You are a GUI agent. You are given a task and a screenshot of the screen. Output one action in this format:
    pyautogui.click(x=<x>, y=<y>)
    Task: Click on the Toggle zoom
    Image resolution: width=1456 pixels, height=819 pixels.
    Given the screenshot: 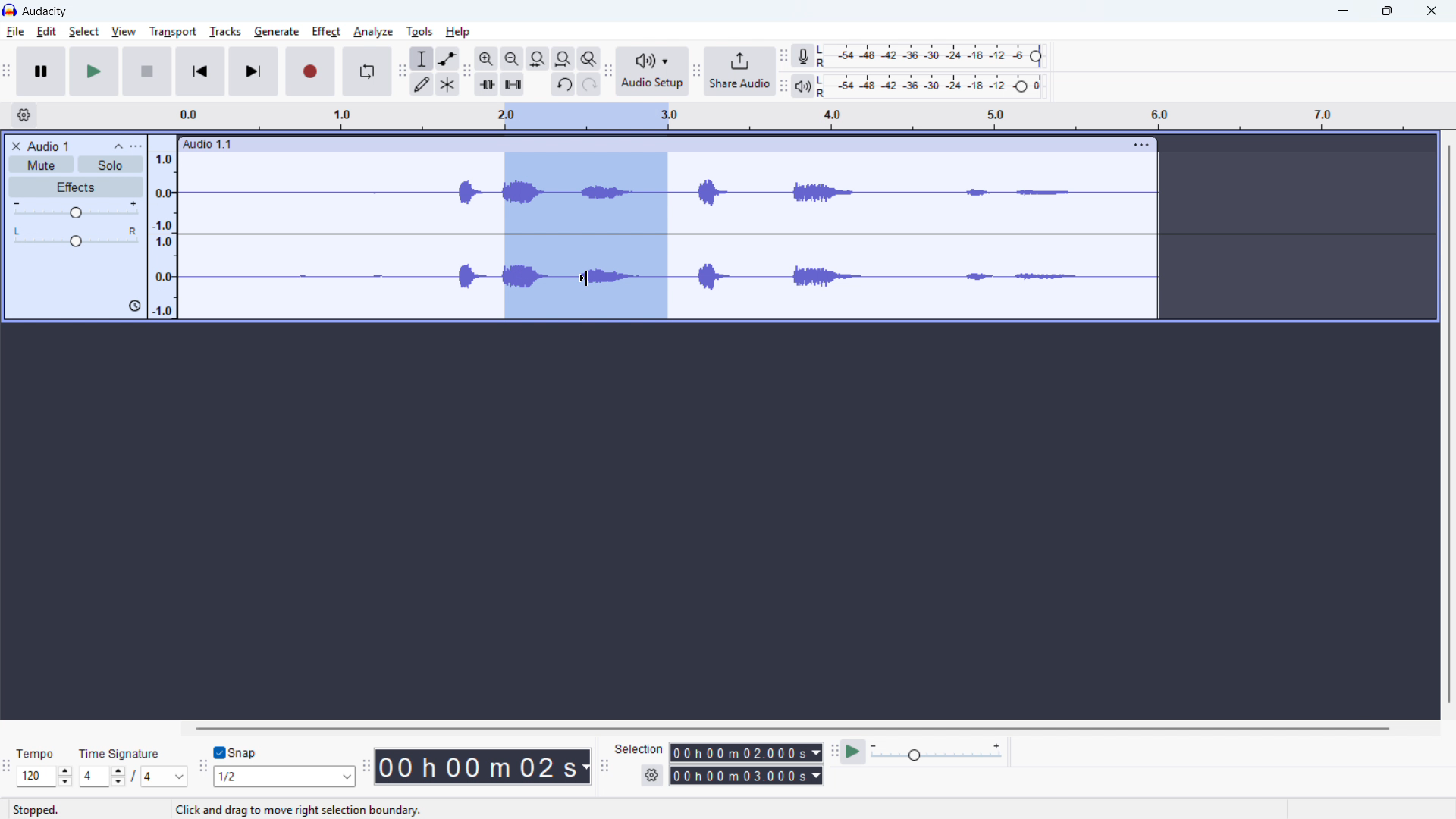 What is the action you would take?
    pyautogui.click(x=588, y=58)
    